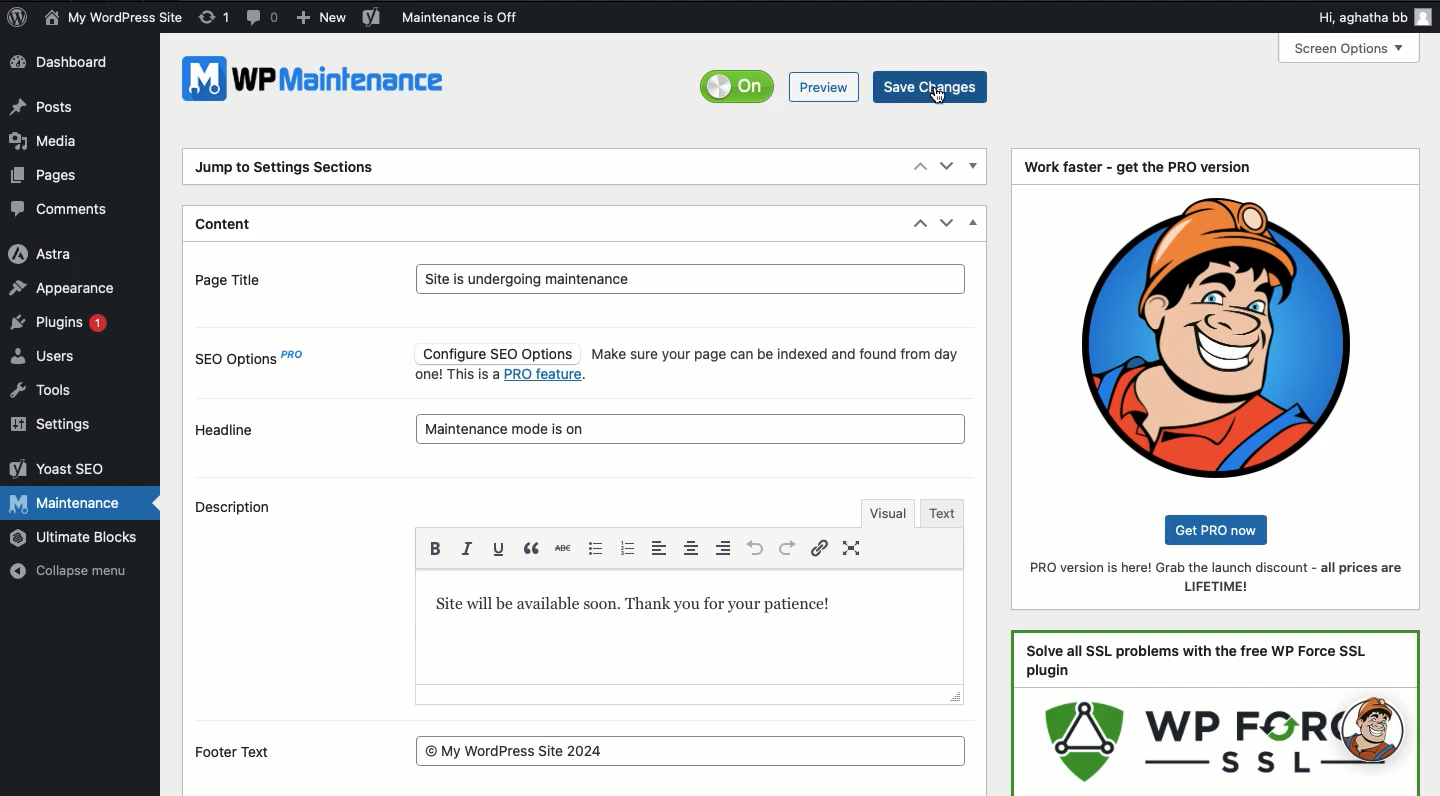 The image size is (1440, 796). What do you see at coordinates (944, 513) in the screenshot?
I see `Text` at bounding box center [944, 513].